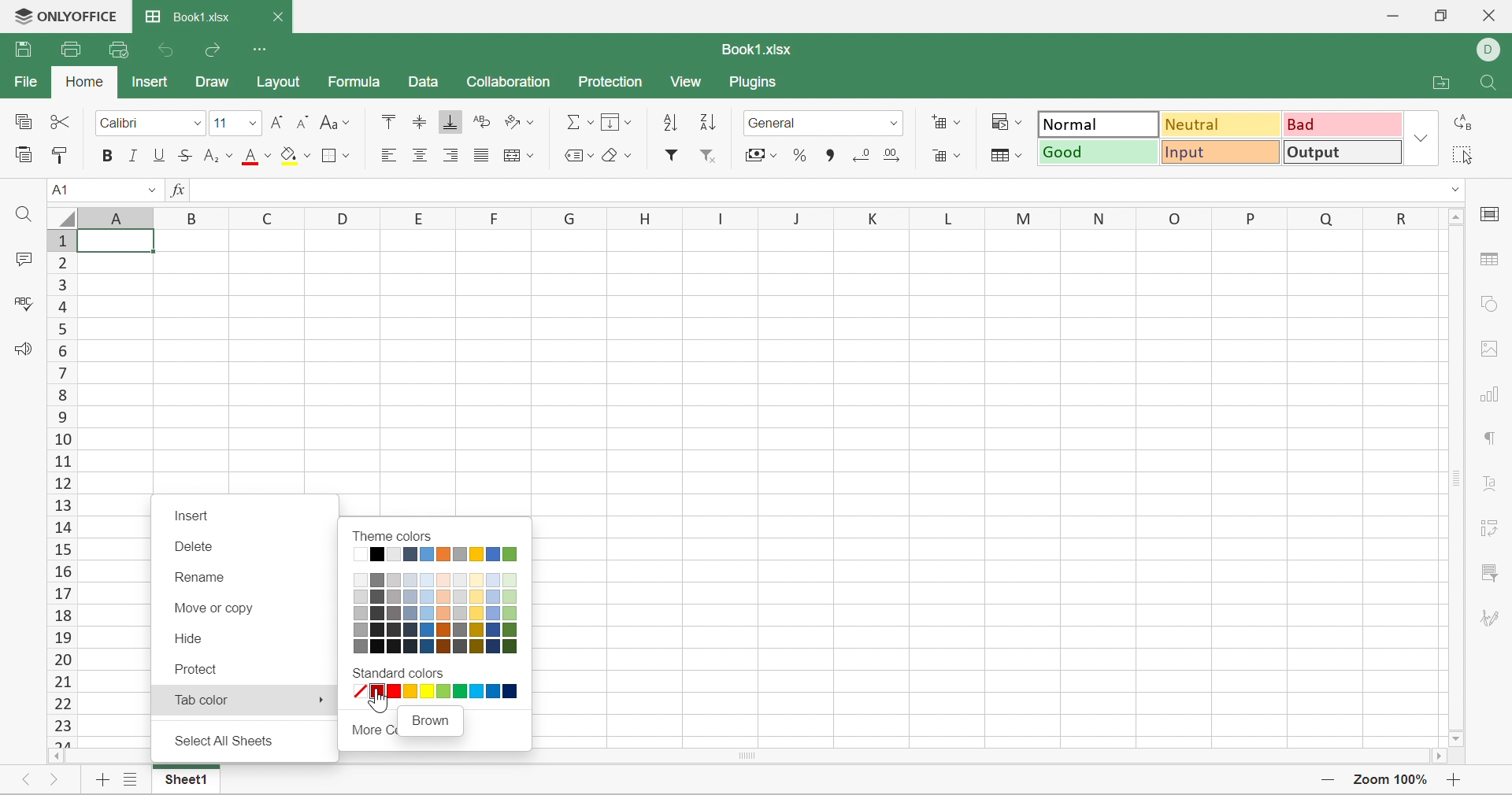 The image size is (1512, 795). I want to click on Align Bottom, so click(452, 121).